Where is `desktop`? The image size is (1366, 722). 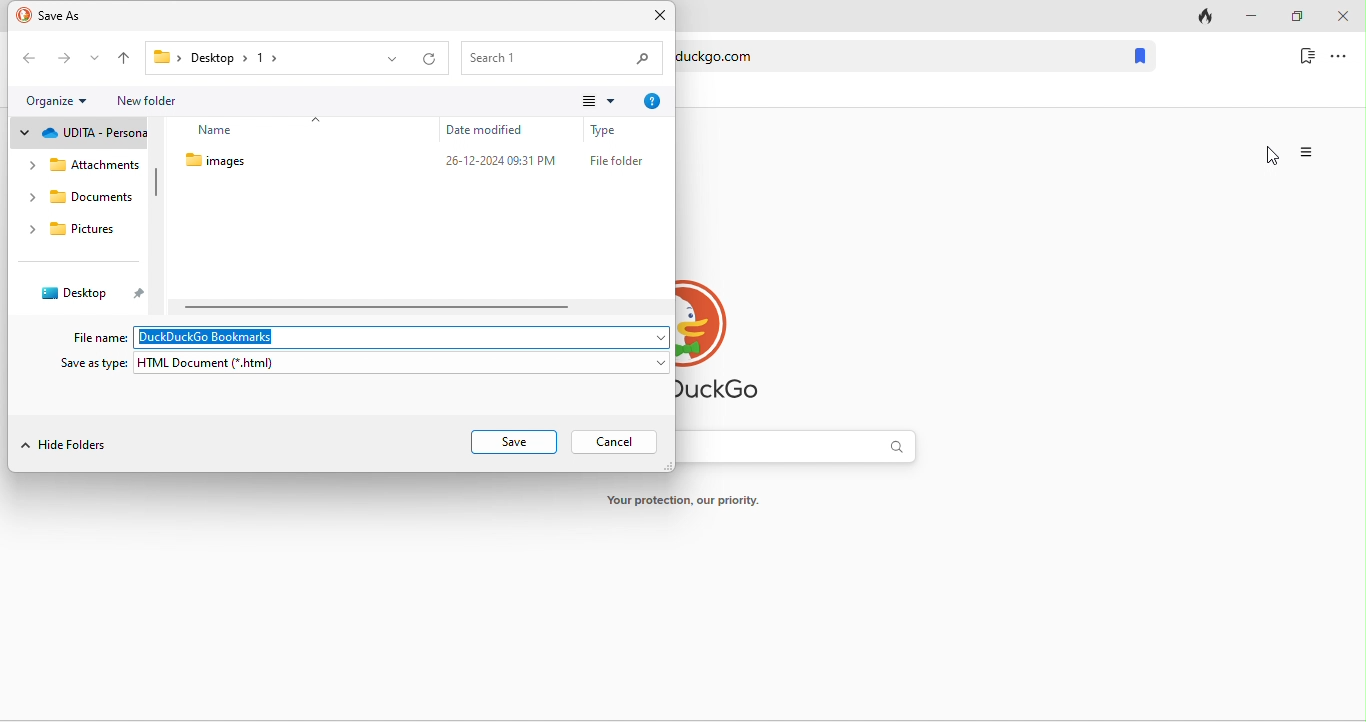
desktop is located at coordinates (240, 57).